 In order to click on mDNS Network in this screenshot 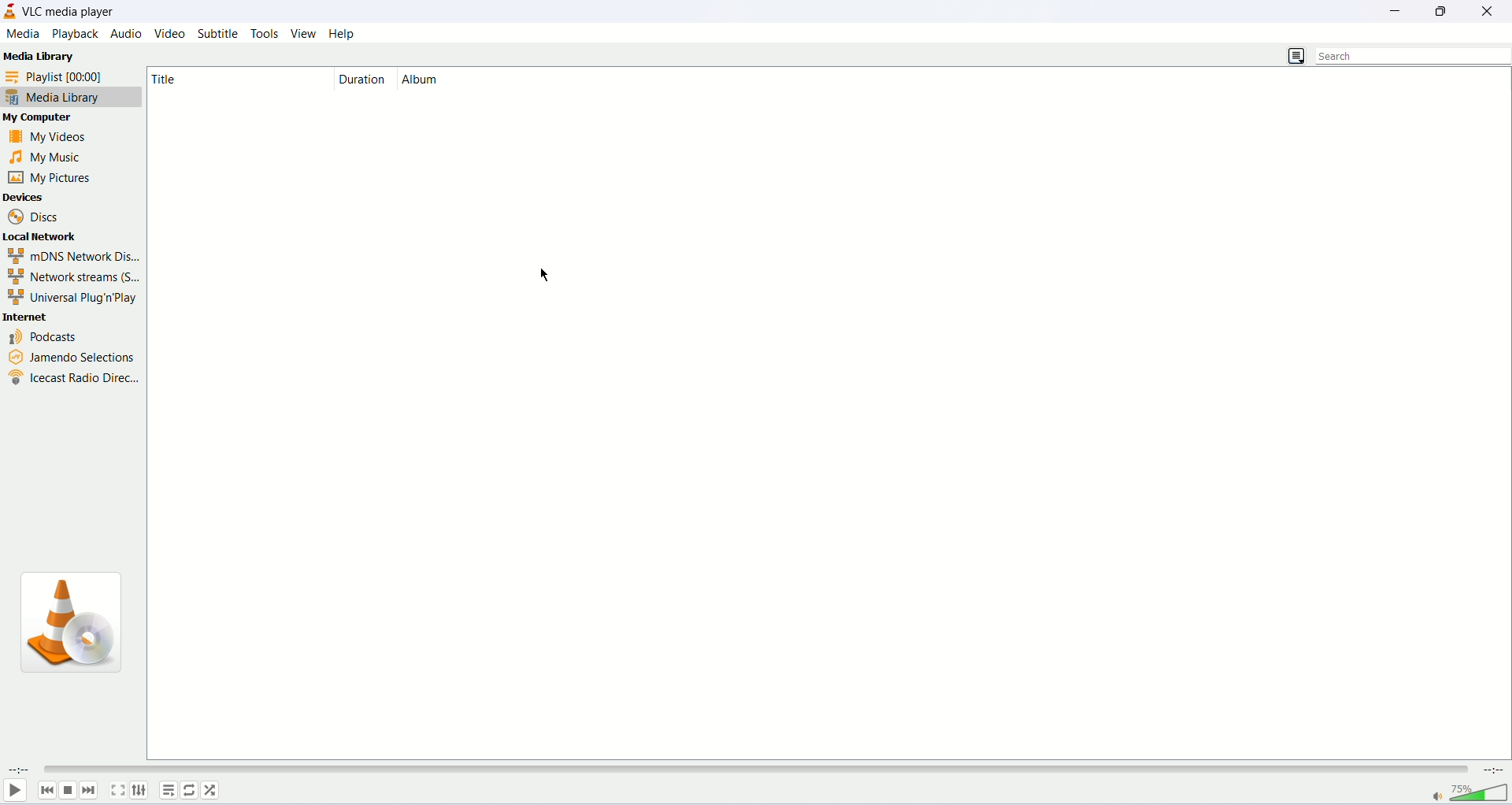, I will do `click(72, 254)`.